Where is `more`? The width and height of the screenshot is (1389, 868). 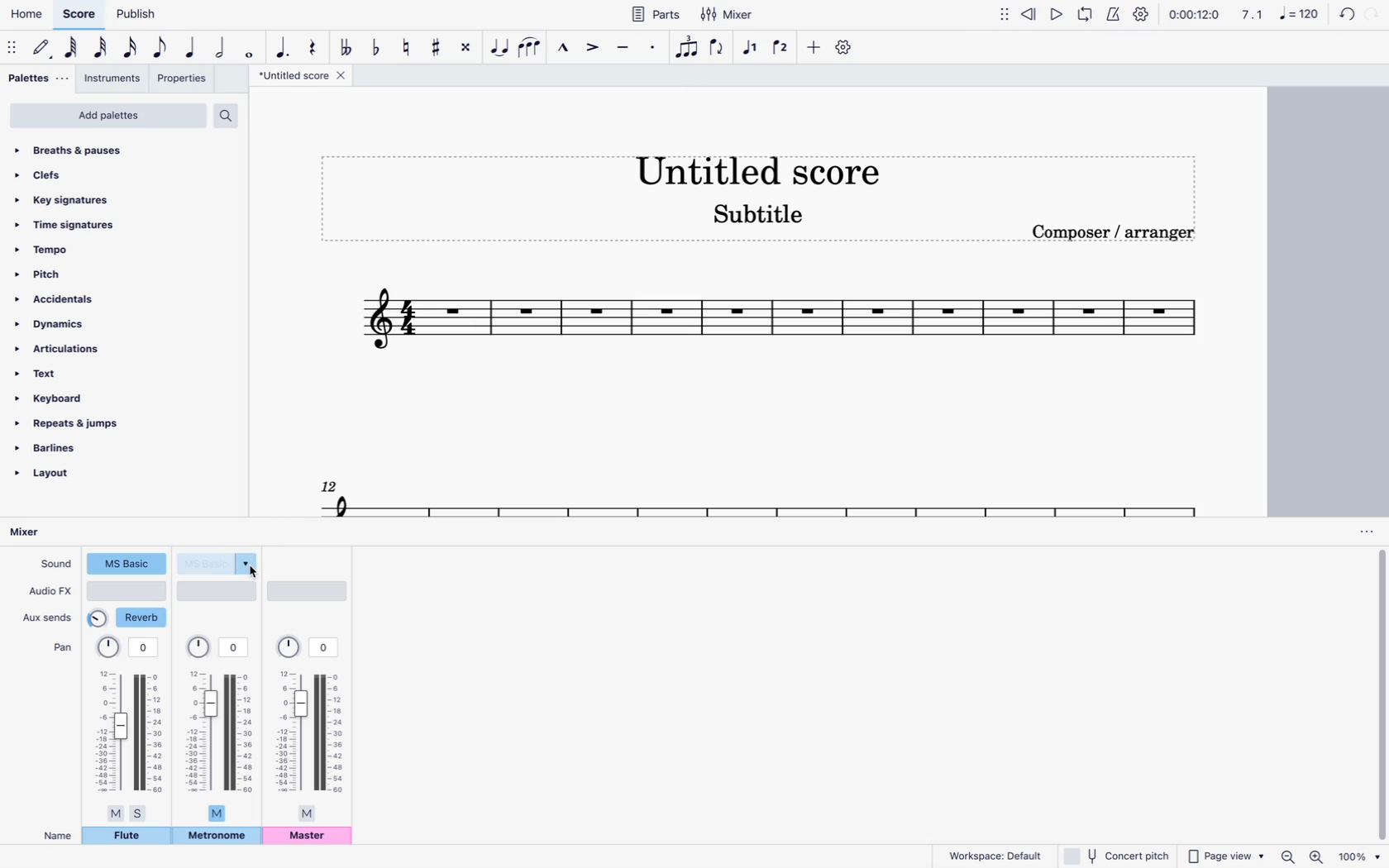
more is located at coordinates (814, 48).